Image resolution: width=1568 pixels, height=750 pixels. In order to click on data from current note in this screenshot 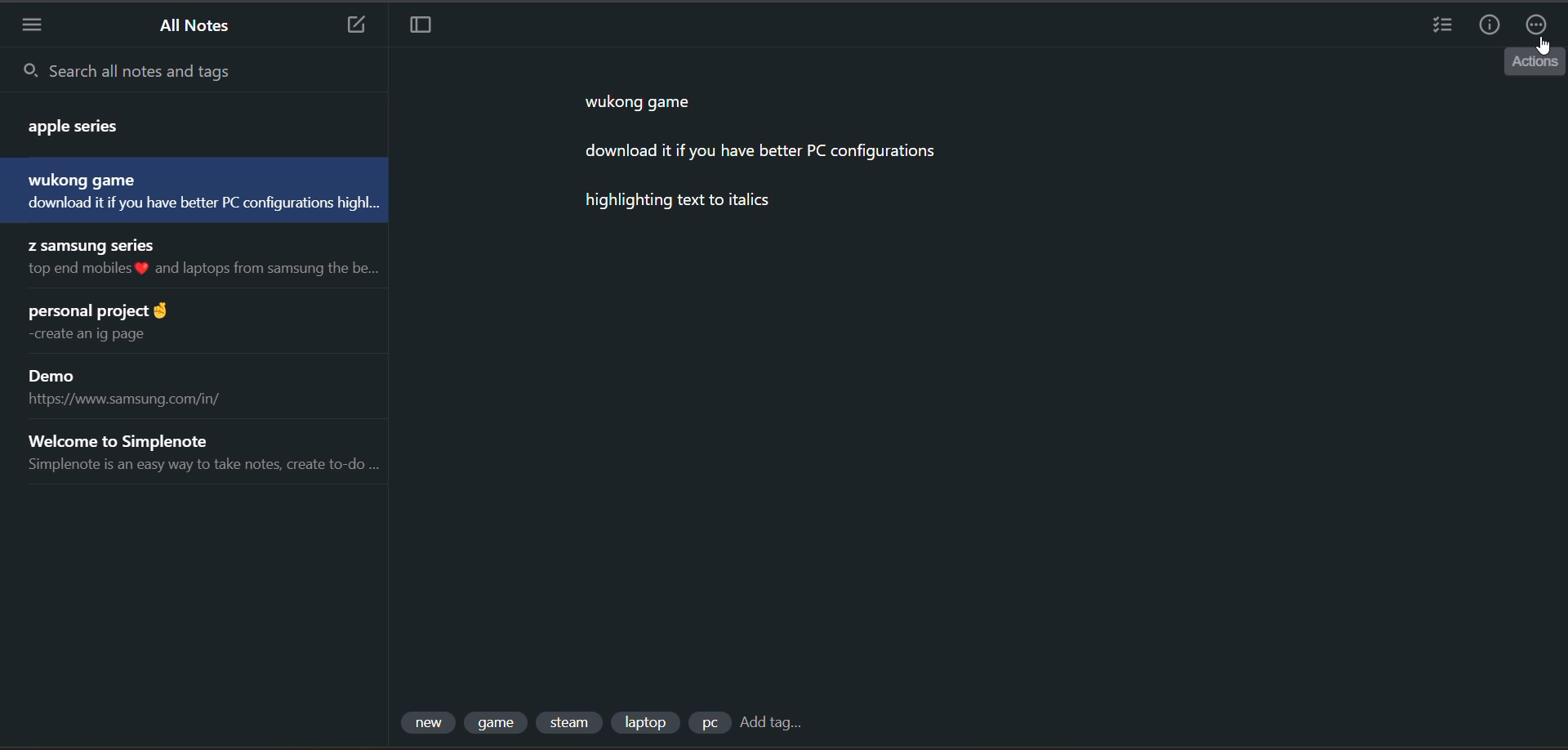, I will do `click(758, 163)`.